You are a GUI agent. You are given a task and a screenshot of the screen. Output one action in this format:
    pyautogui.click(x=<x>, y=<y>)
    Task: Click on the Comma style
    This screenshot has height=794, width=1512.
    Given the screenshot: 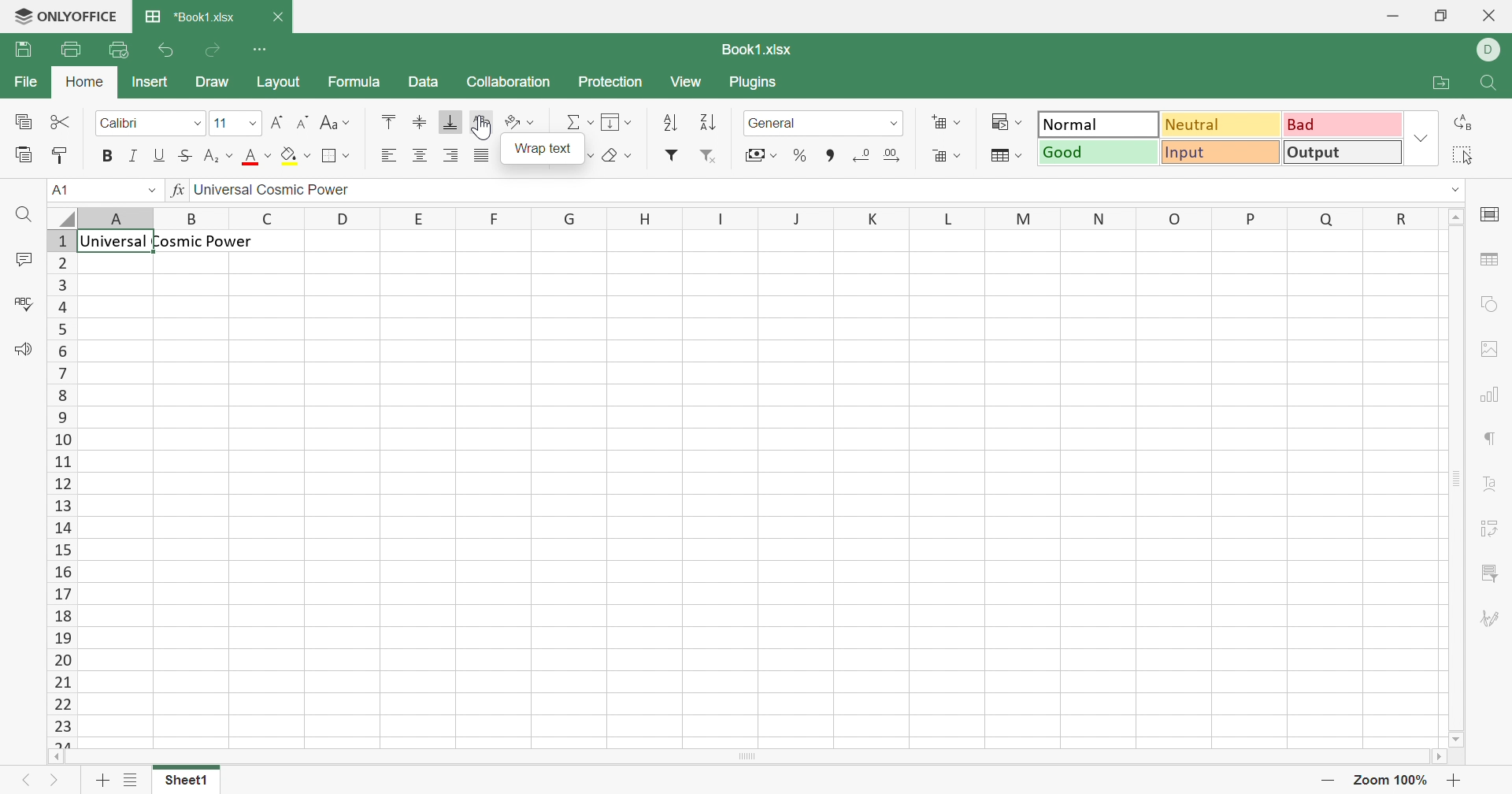 What is the action you would take?
    pyautogui.click(x=830, y=156)
    